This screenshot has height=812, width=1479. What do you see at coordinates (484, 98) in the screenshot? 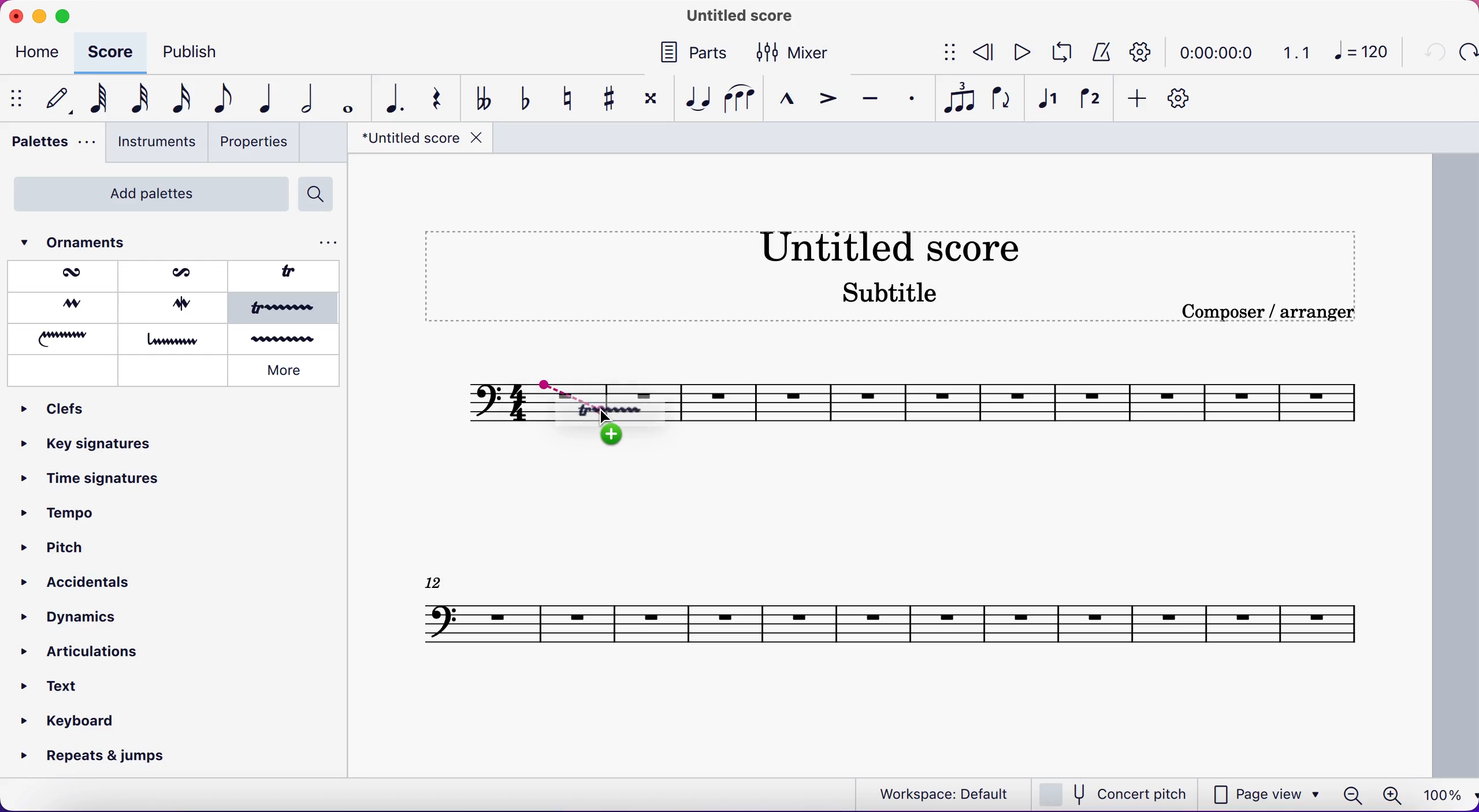
I see `toggle double flat` at bounding box center [484, 98].